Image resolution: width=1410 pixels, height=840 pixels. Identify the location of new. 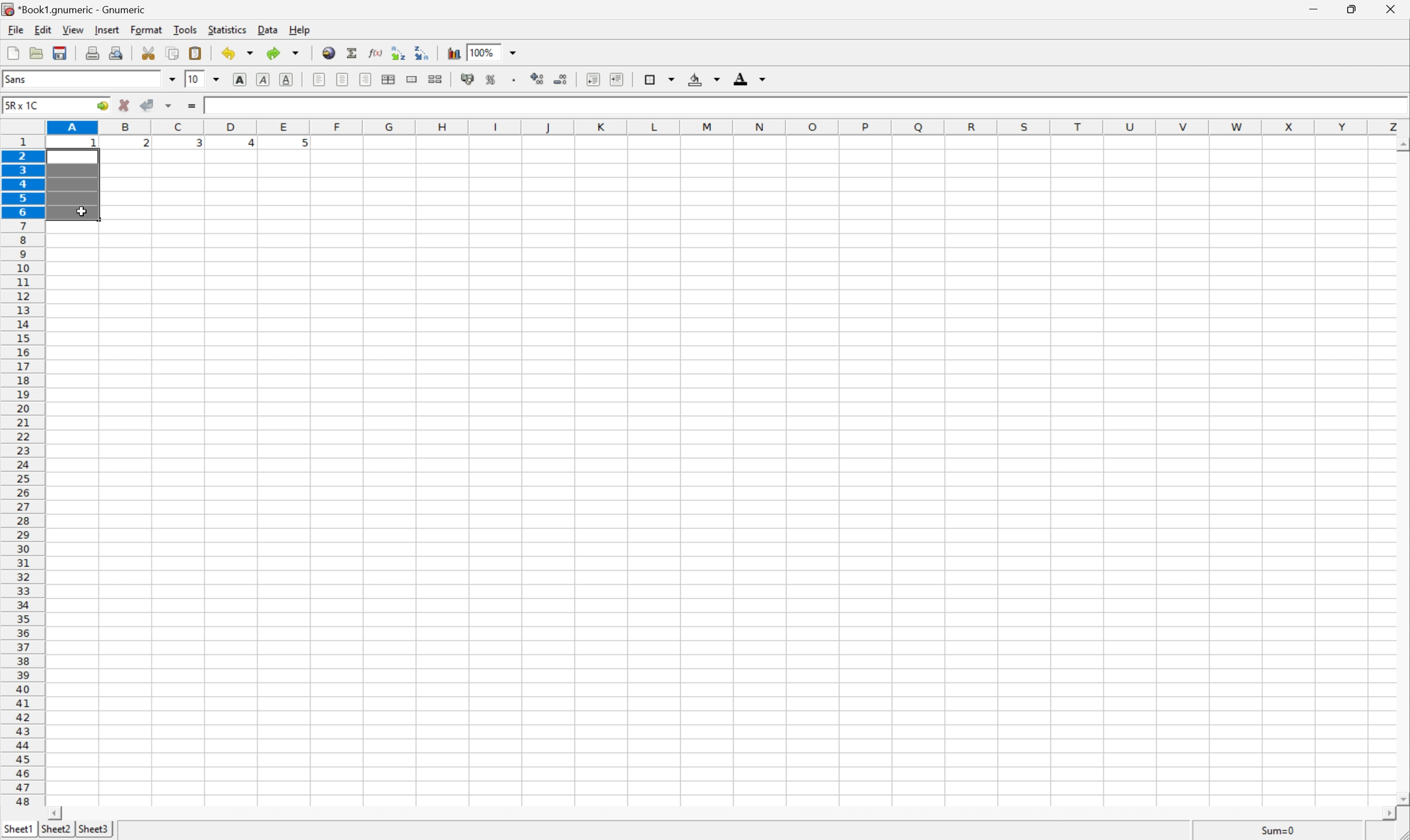
(14, 52).